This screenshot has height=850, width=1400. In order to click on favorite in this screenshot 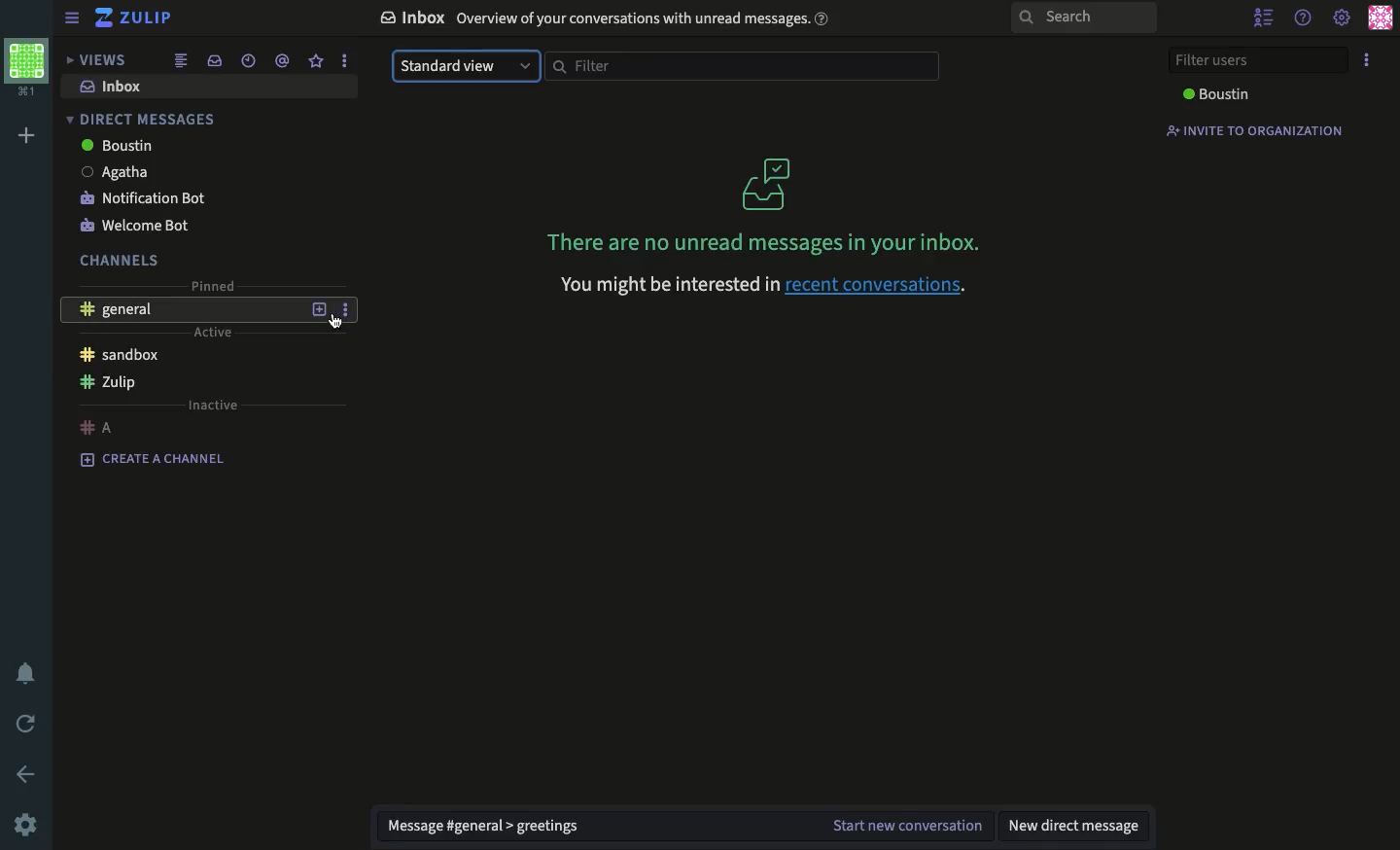, I will do `click(316, 61)`.